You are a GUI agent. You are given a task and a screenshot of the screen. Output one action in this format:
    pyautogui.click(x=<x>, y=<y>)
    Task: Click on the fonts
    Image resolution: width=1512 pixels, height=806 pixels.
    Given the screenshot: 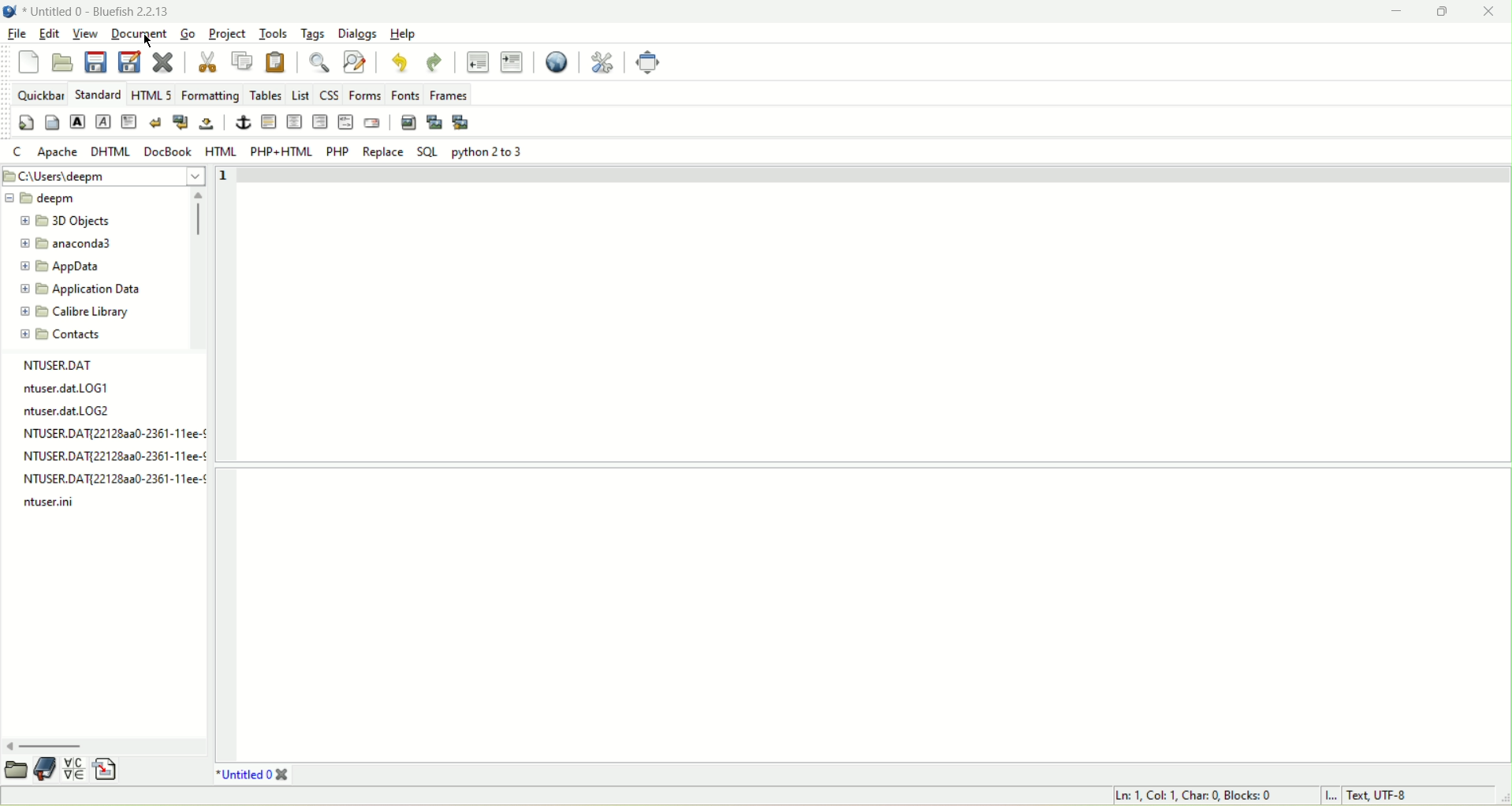 What is the action you would take?
    pyautogui.click(x=404, y=94)
    